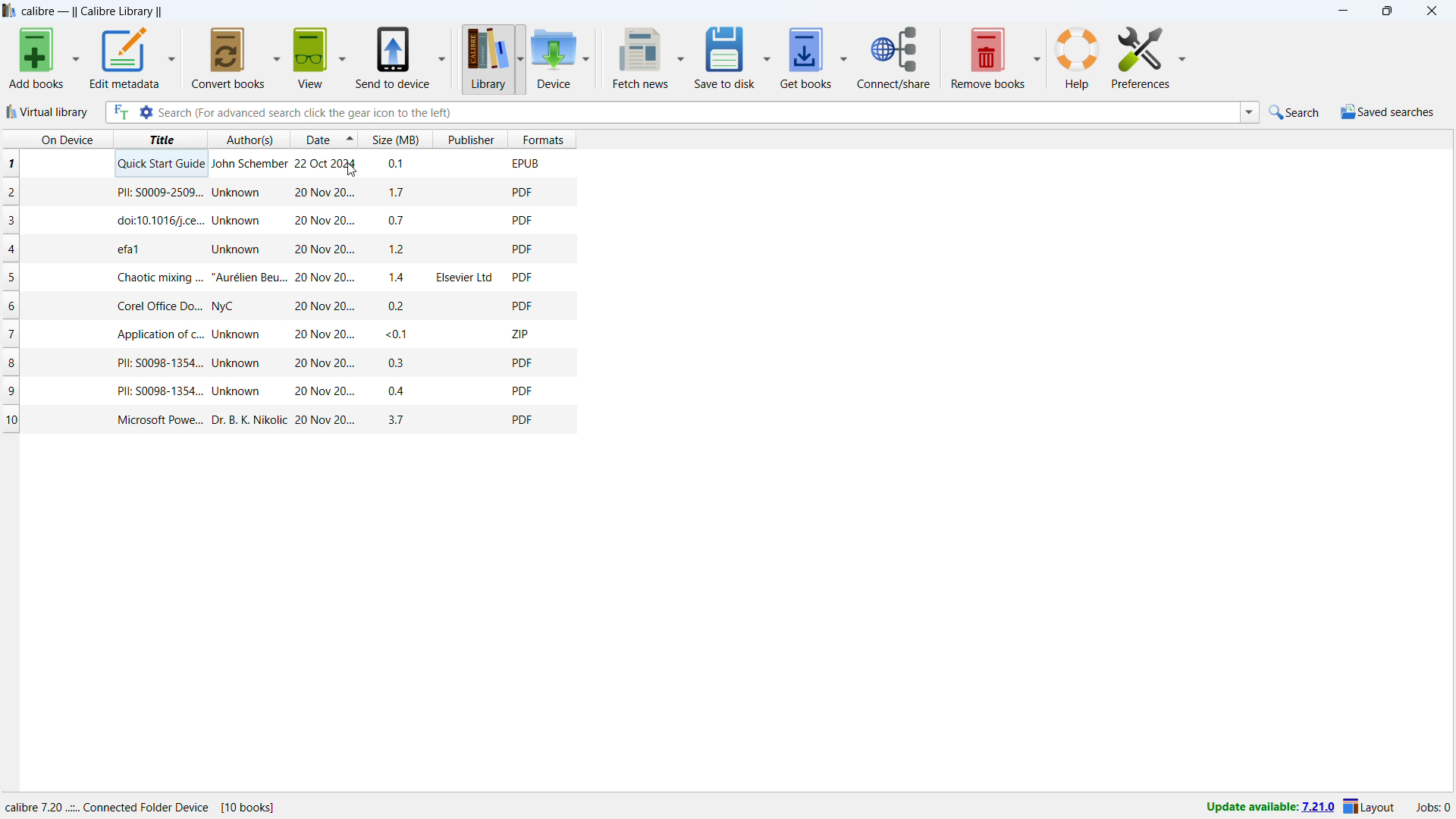 This screenshot has height=819, width=1456. What do you see at coordinates (682, 56) in the screenshot?
I see `fetch news options` at bounding box center [682, 56].